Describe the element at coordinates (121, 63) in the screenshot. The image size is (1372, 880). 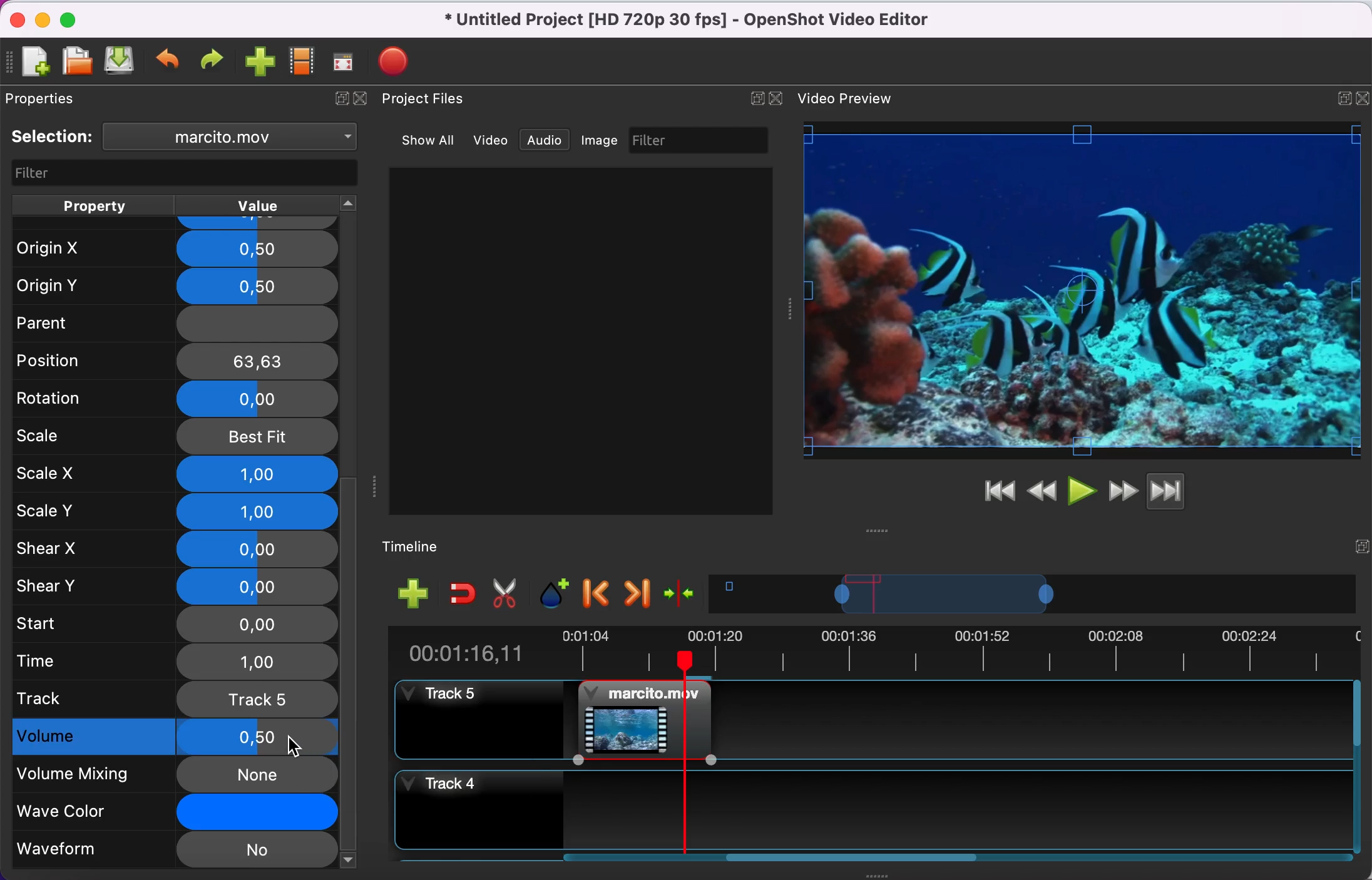
I see `save file` at that location.